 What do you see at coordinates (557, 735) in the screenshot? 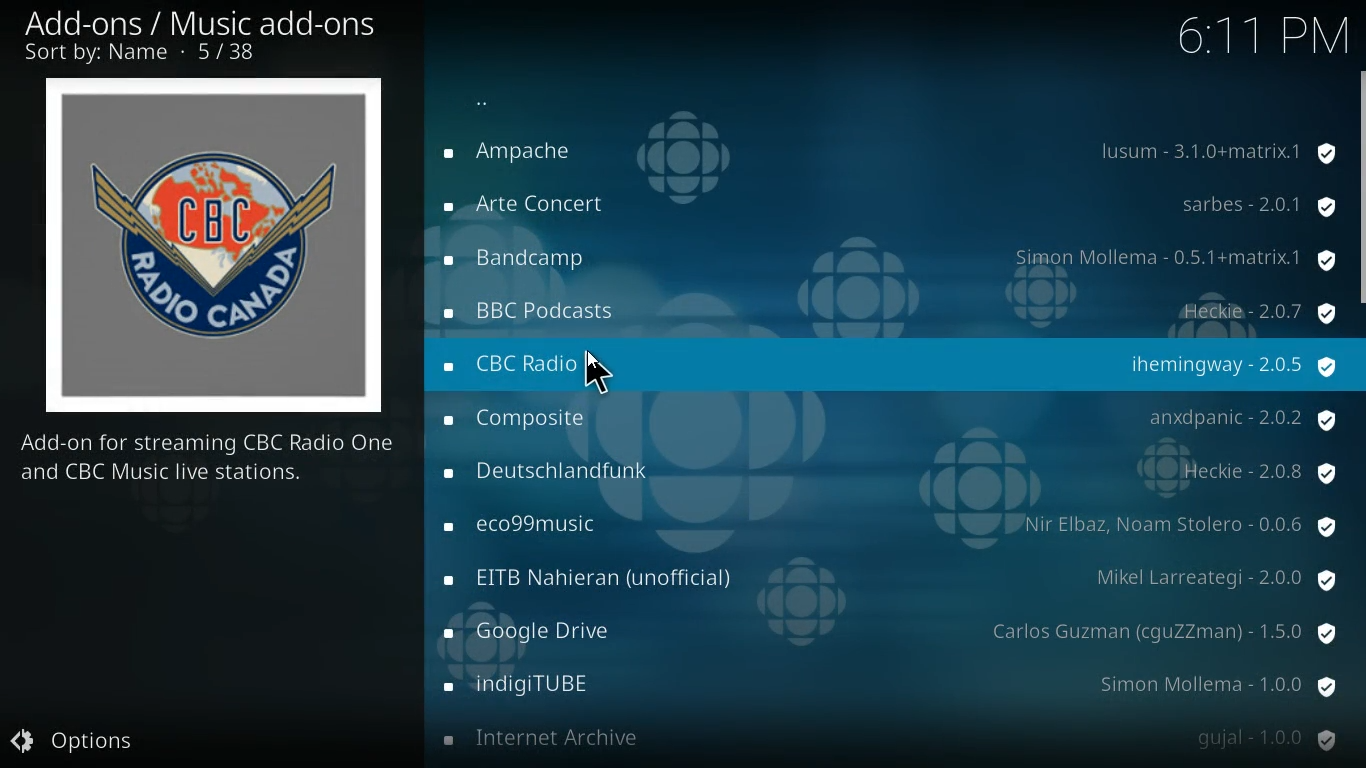
I see `radio name` at bounding box center [557, 735].